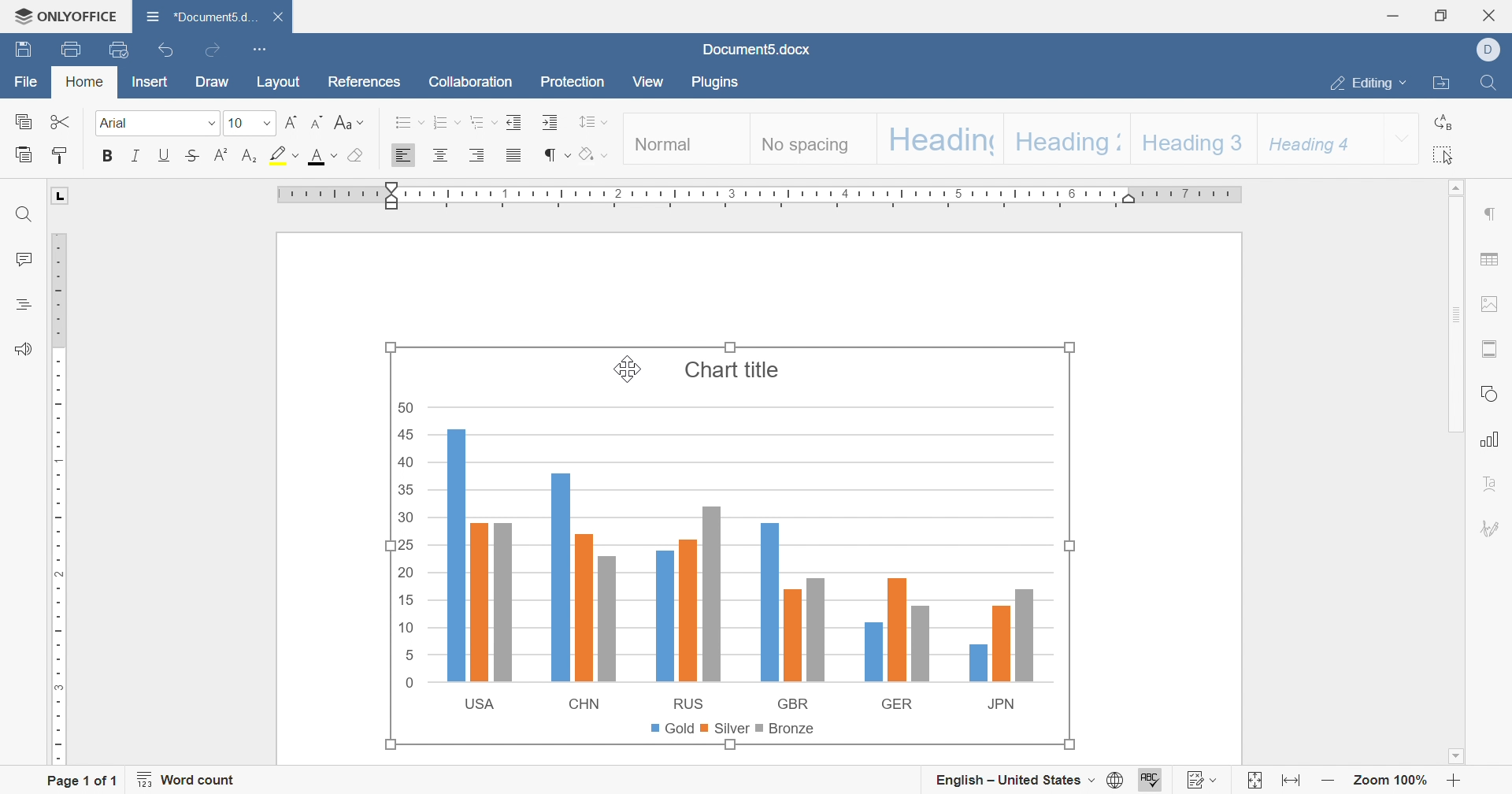 This screenshot has width=1512, height=794. Describe the element at coordinates (73, 50) in the screenshot. I see `print` at that location.